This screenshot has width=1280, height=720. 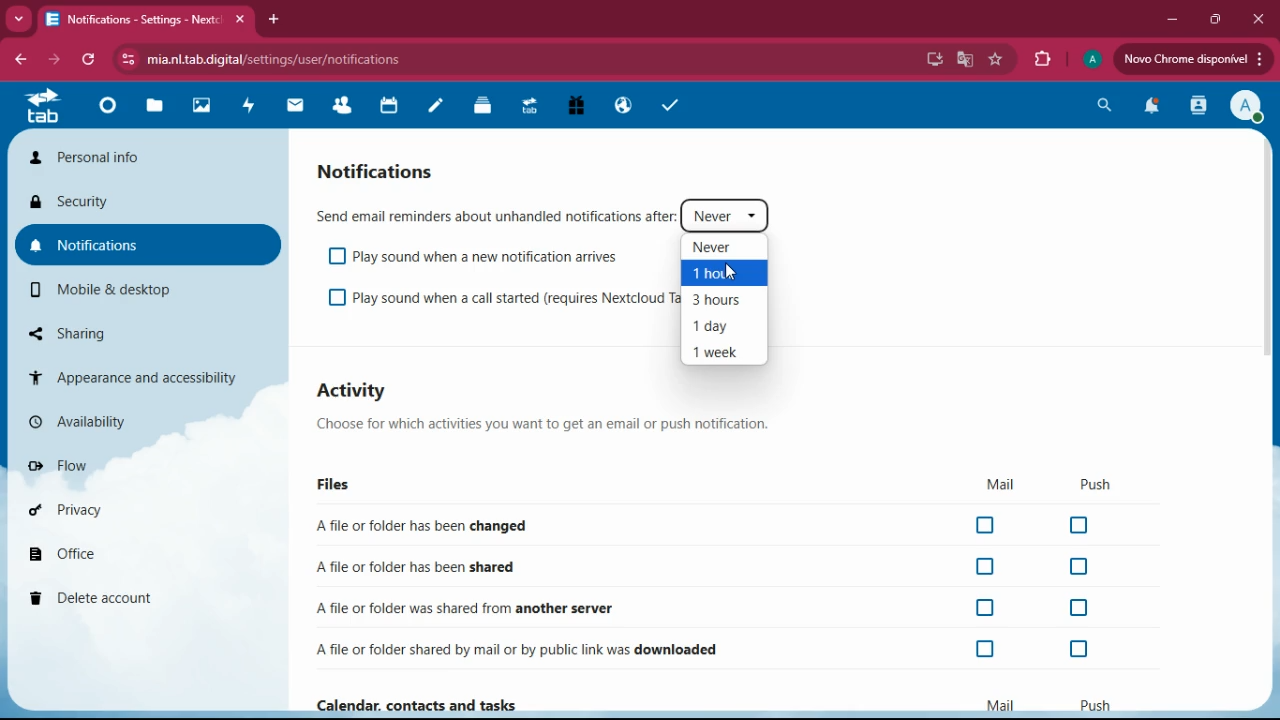 I want to click on off, so click(x=1079, y=565).